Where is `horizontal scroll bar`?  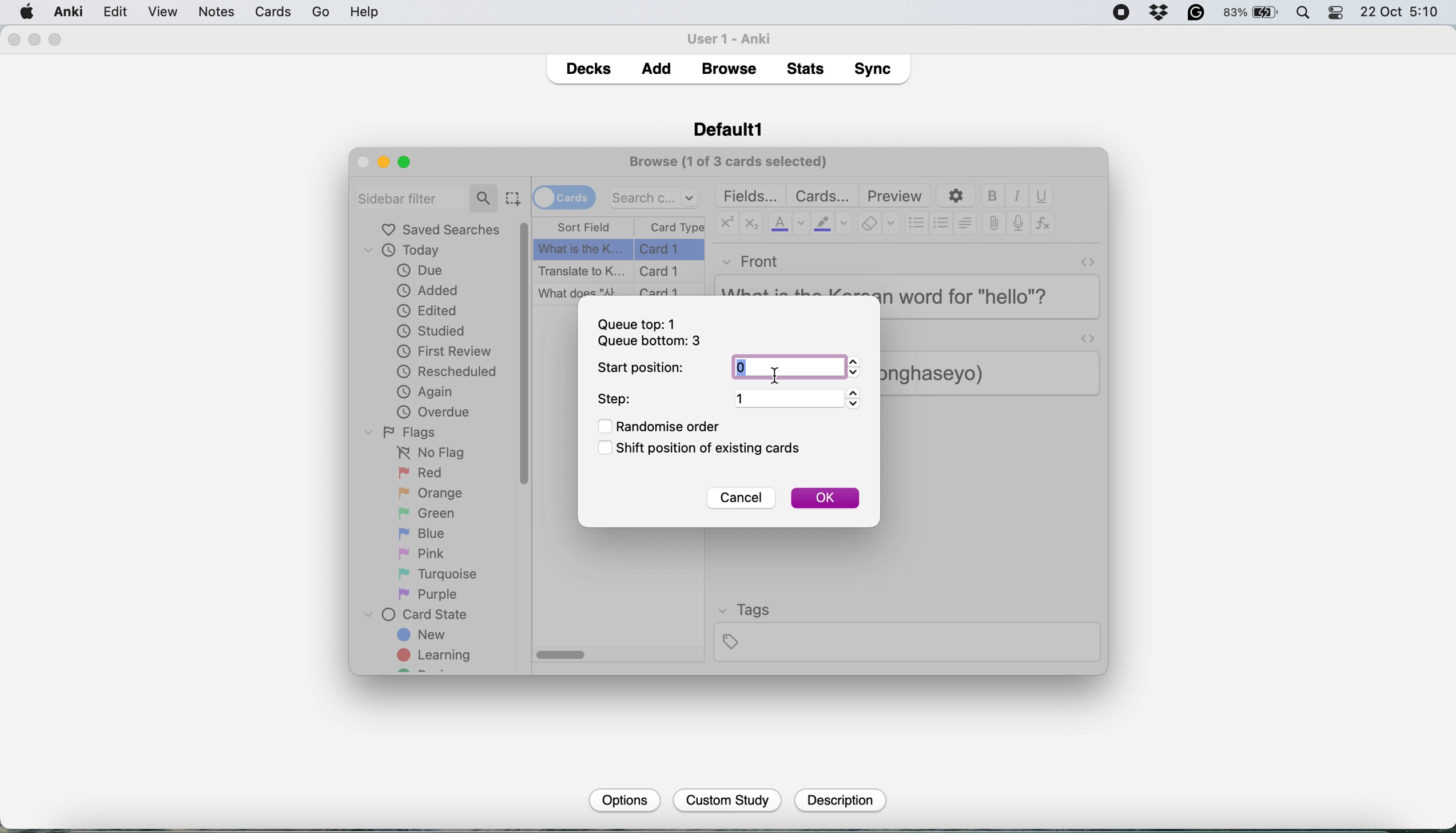
horizontal scroll bar is located at coordinates (562, 656).